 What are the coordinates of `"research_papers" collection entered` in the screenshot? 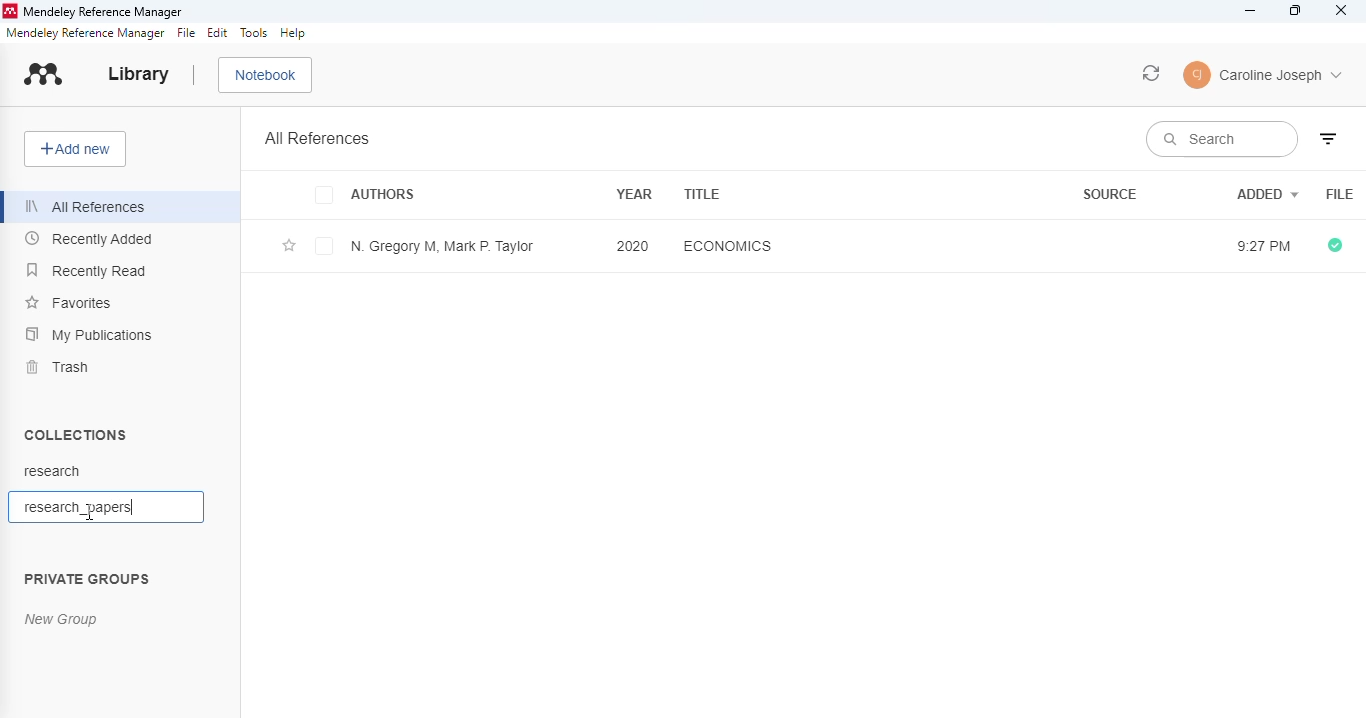 It's located at (73, 506).